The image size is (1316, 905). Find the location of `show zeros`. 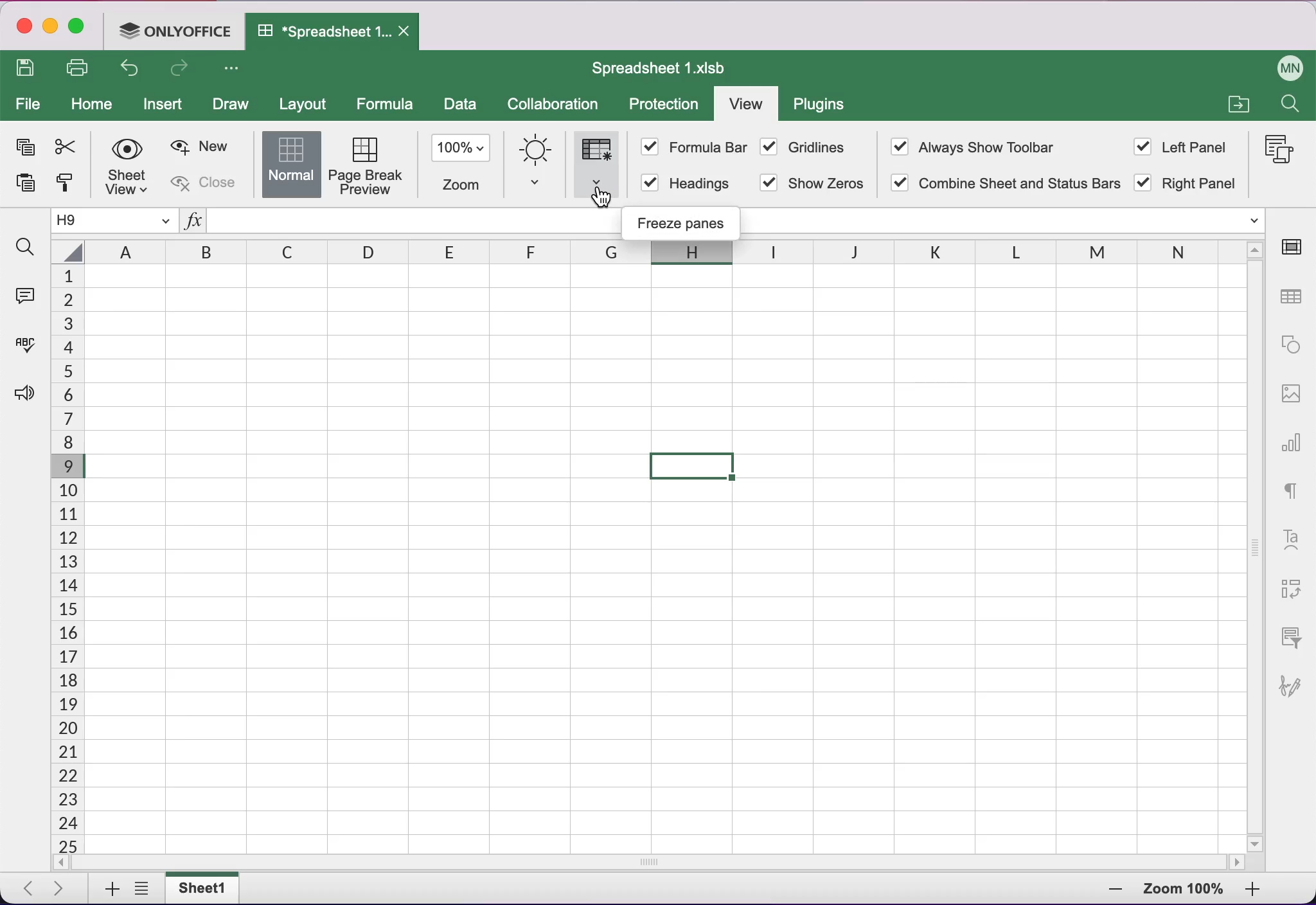

show zeros is located at coordinates (814, 186).